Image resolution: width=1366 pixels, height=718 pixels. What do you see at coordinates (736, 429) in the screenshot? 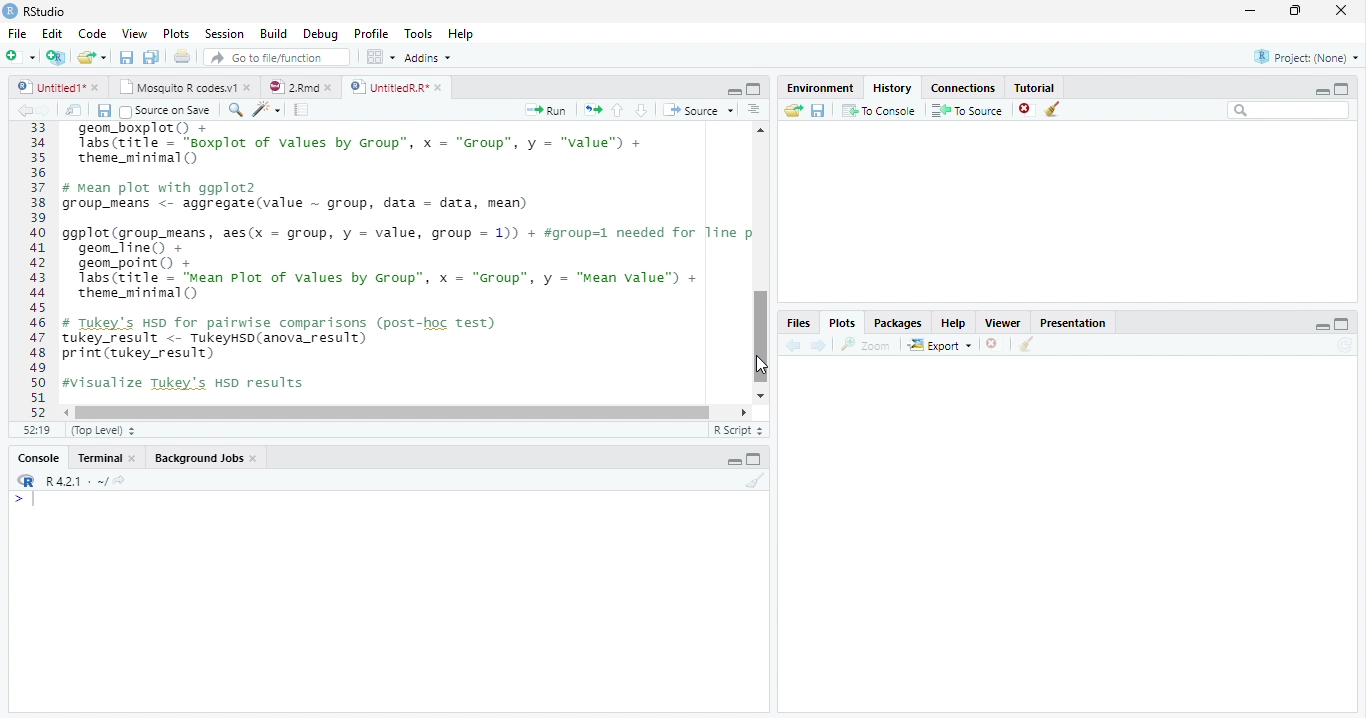
I see `R script` at bounding box center [736, 429].